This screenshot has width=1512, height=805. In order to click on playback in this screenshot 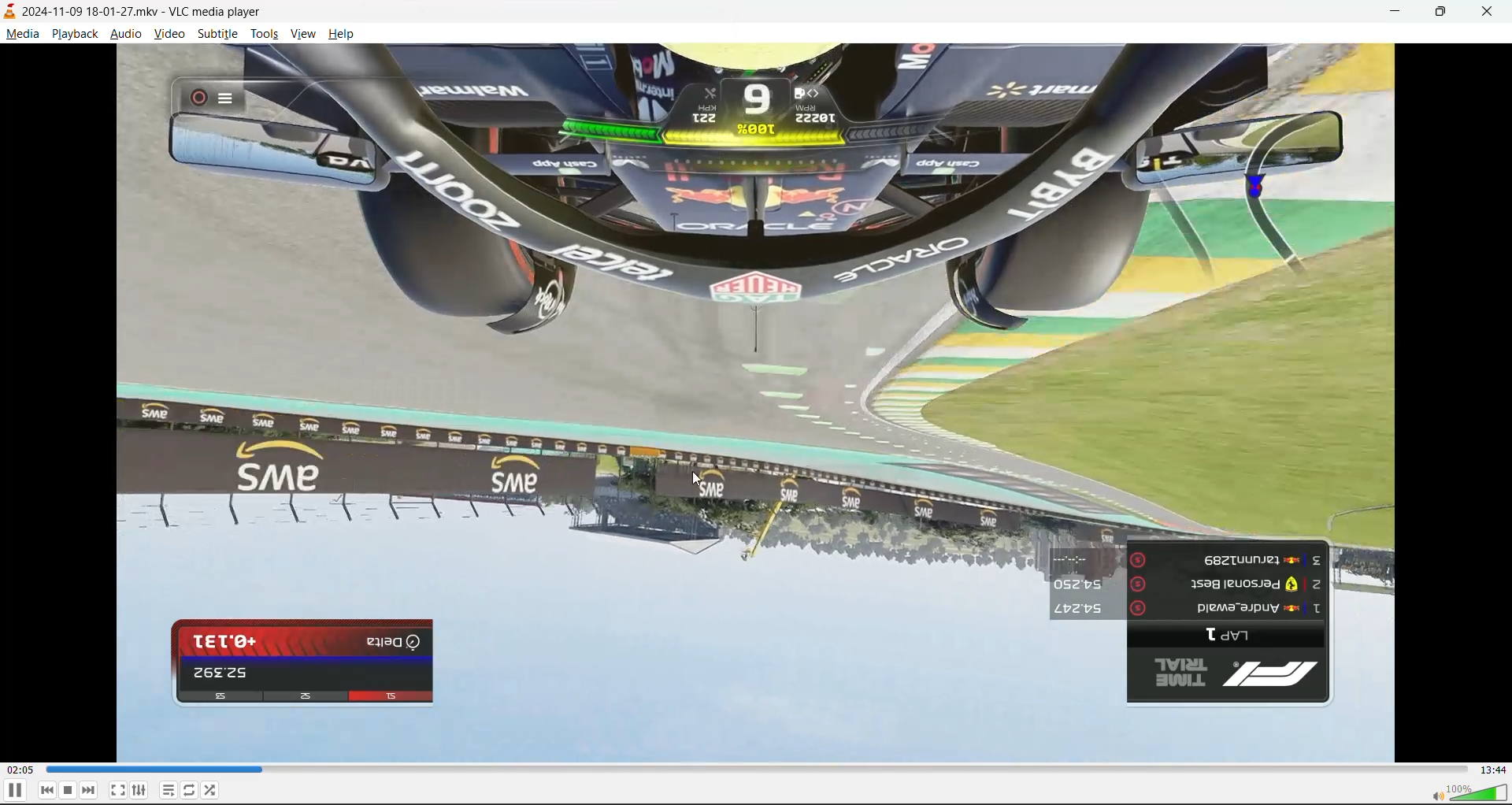, I will do `click(72, 32)`.